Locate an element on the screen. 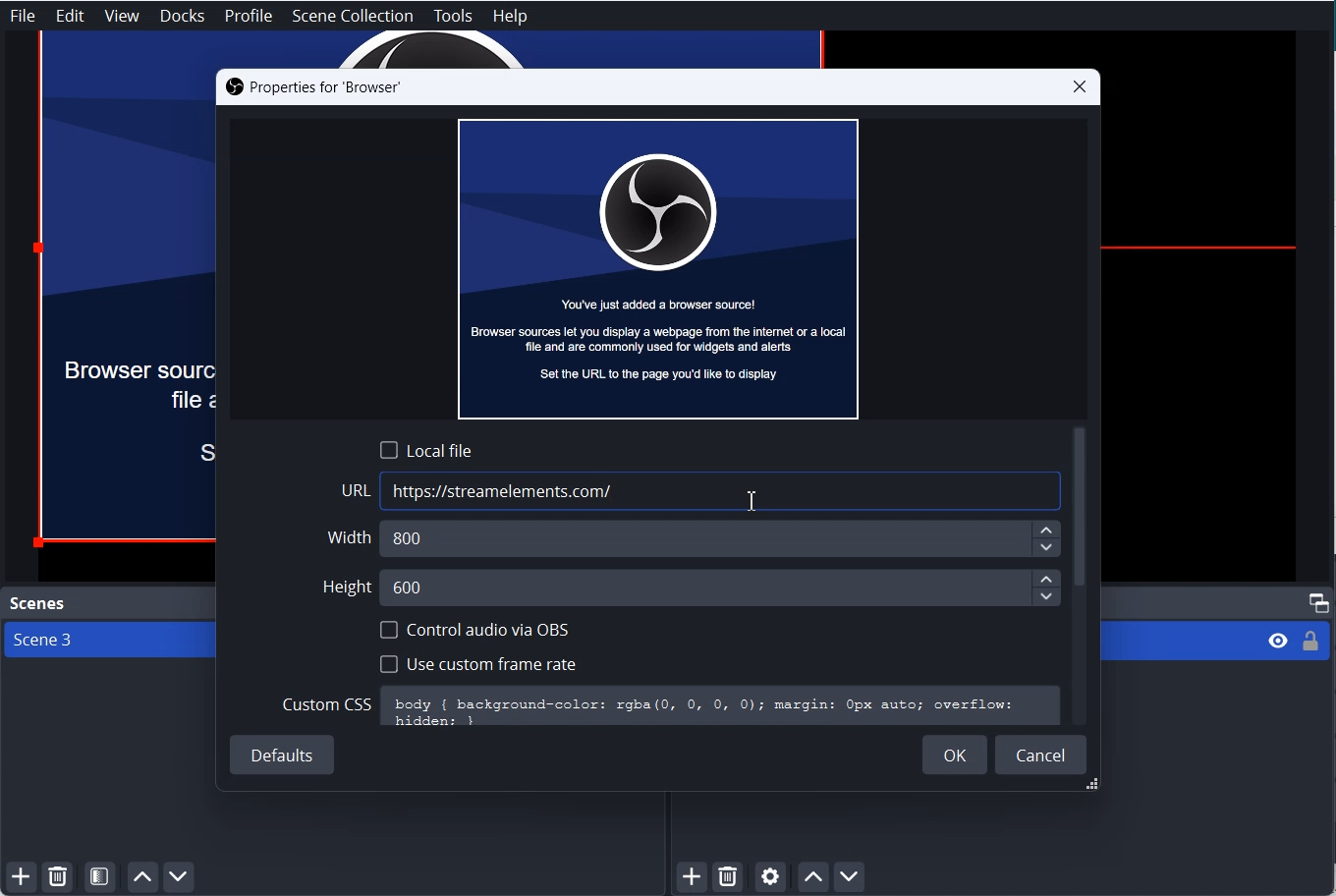 Image resolution: width=1336 pixels, height=896 pixels. Move scene Down is located at coordinates (181, 877).